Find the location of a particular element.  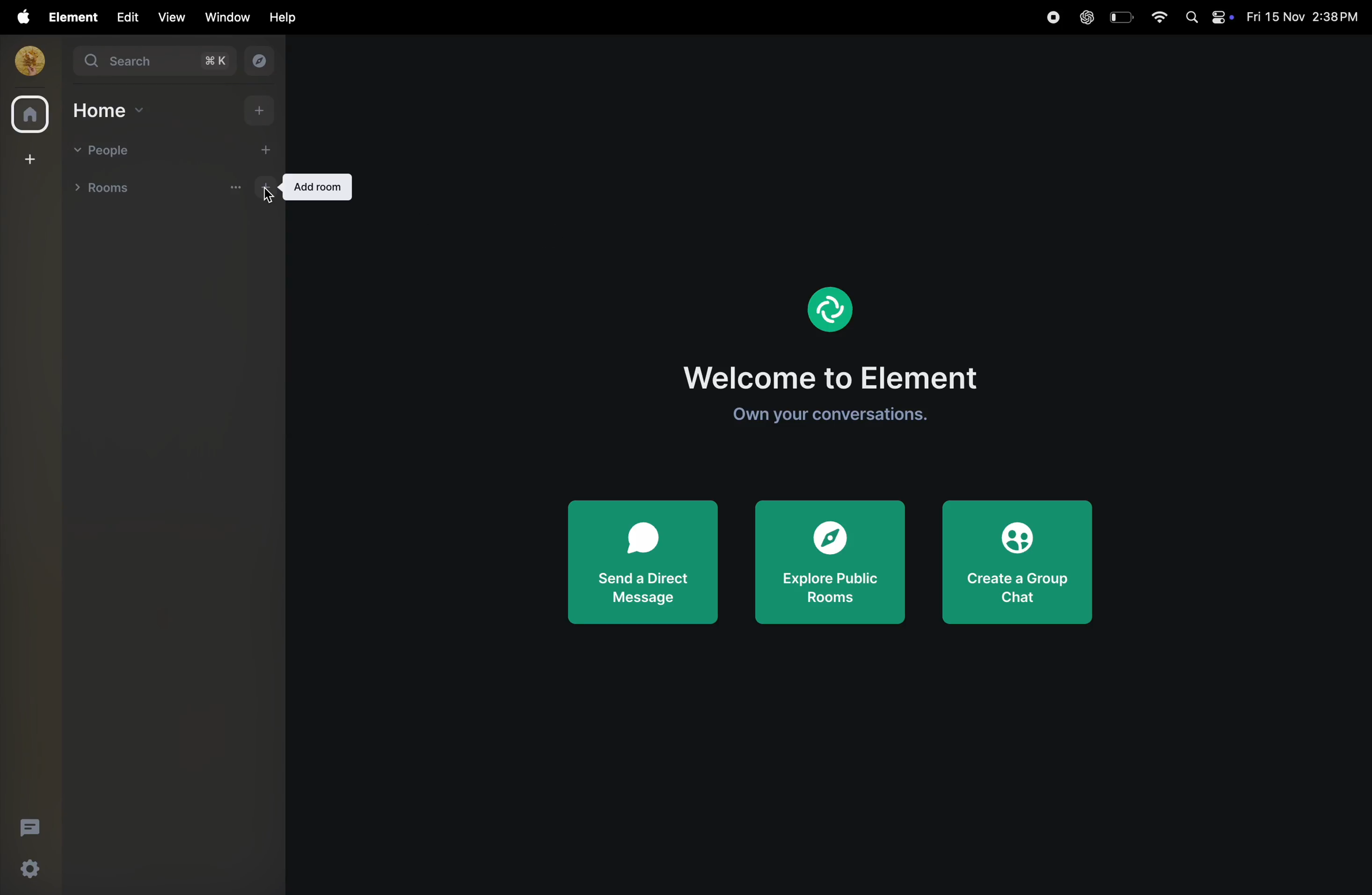

search is located at coordinates (153, 61).